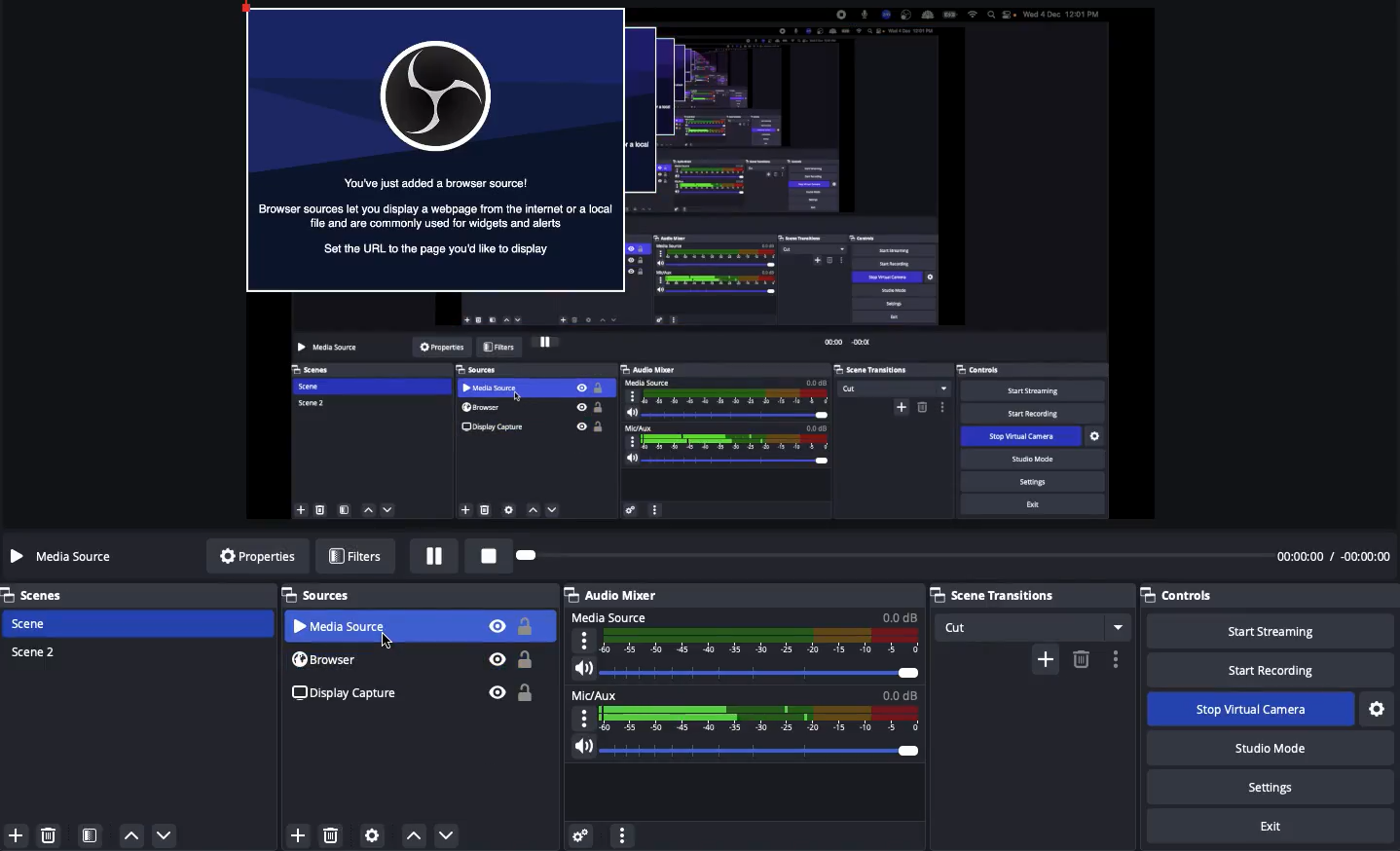 The image size is (1400, 851). What do you see at coordinates (583, 837) in the screenshot?
I see `Advanced audio preferences ` at bounding box center [583, 837].